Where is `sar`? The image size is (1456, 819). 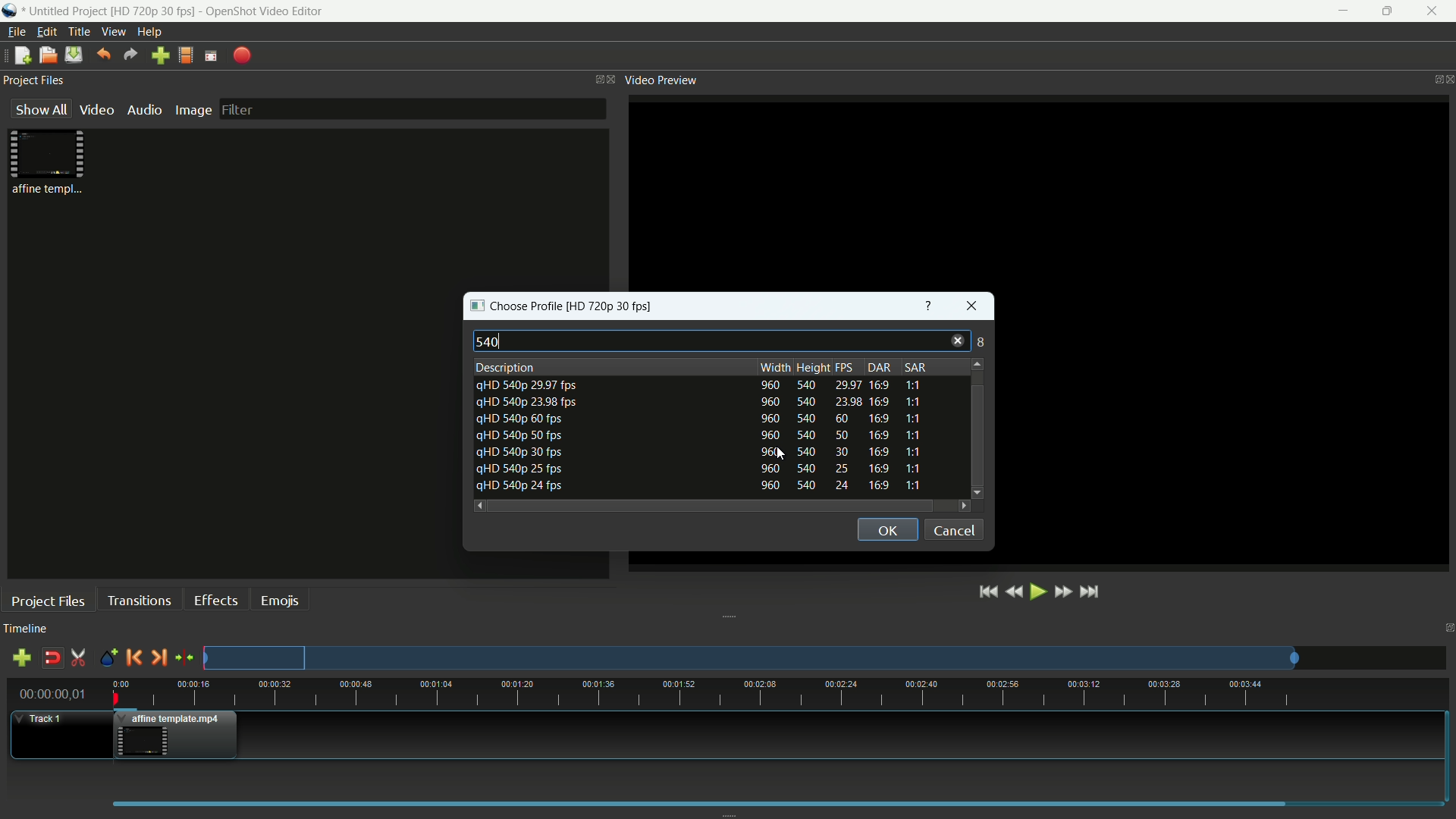
sar is located at coordinates (915, 366).